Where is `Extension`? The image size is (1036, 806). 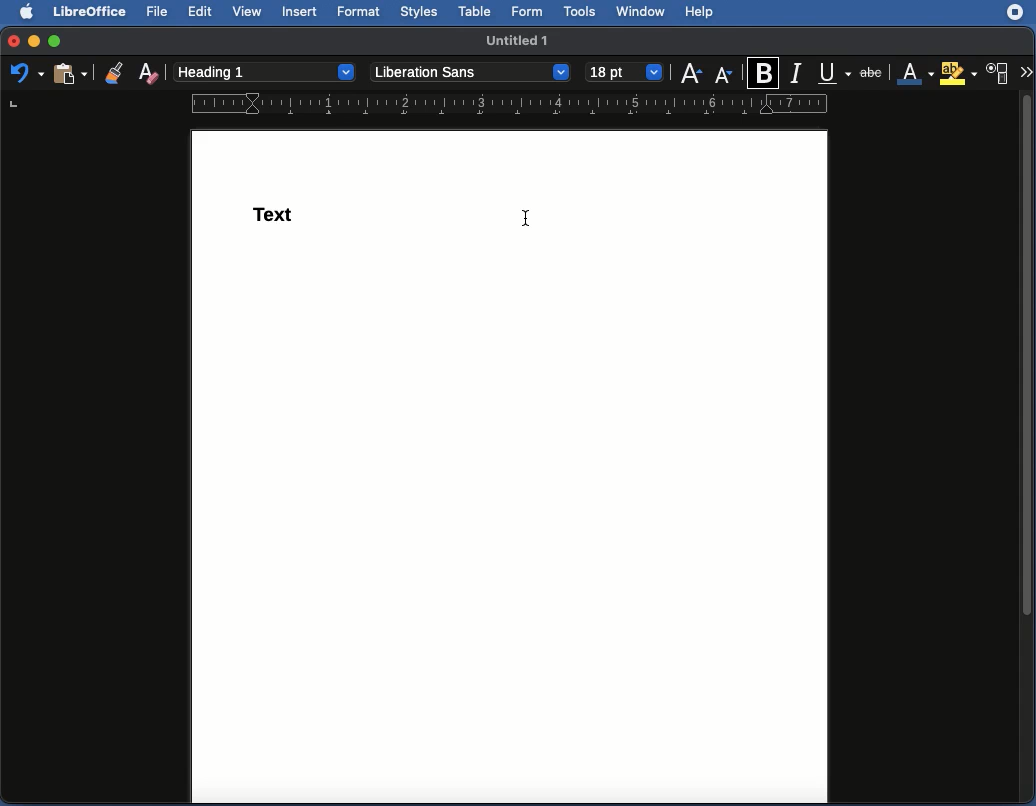
Extension is located at coordinates (1015, 13).